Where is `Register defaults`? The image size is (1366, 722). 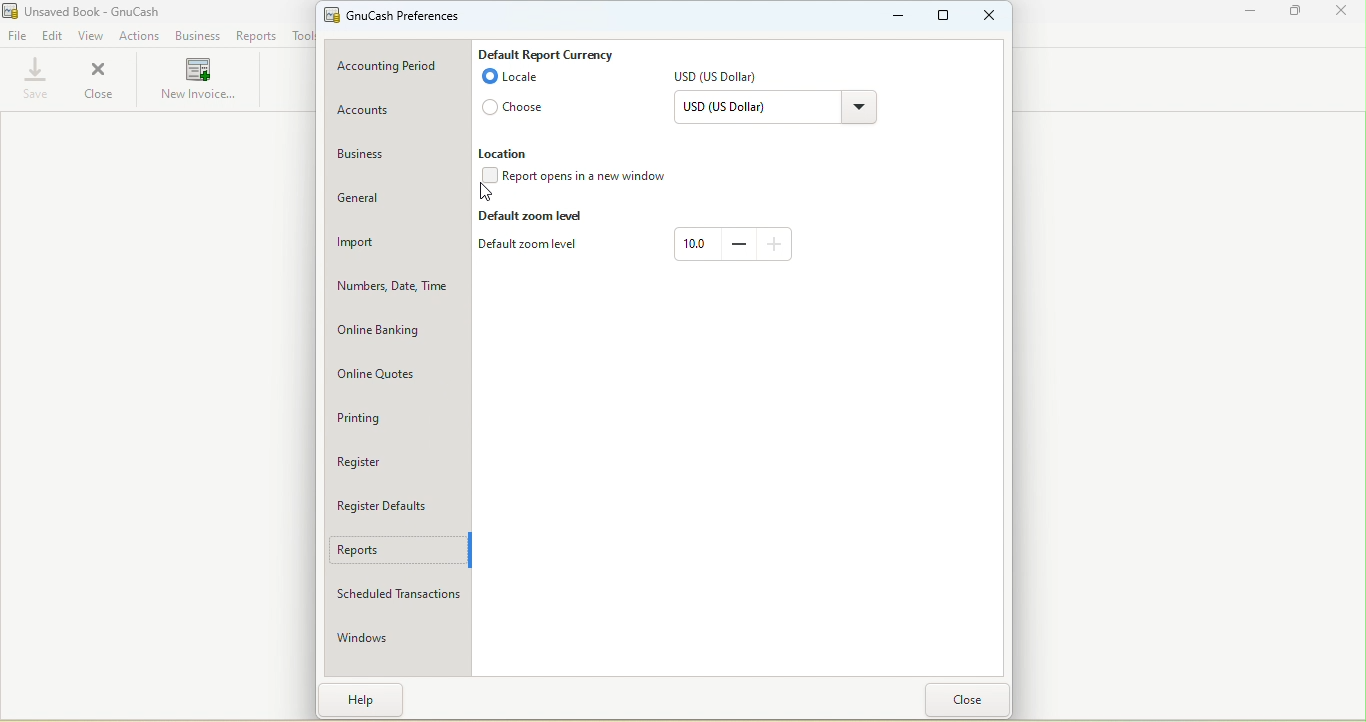
Register defaults is located at coordinates (395, 505).